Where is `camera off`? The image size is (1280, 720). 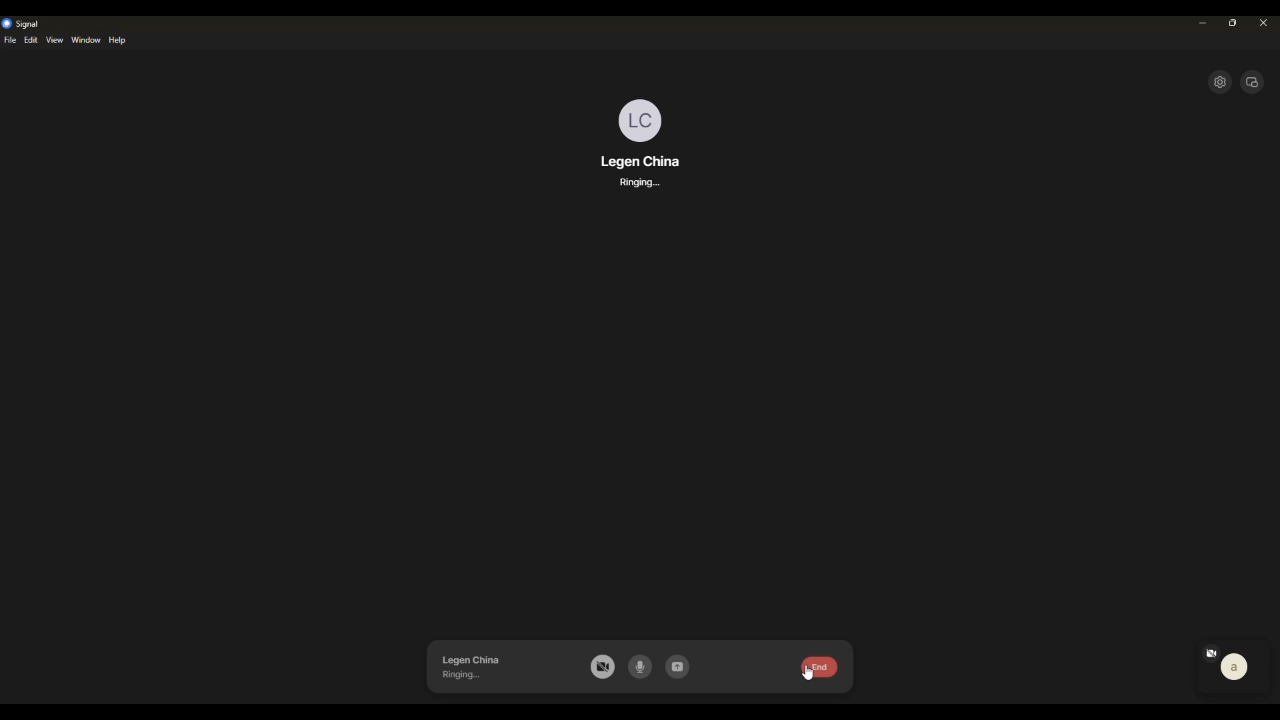 camera off is located at coordinates (1209, 653).